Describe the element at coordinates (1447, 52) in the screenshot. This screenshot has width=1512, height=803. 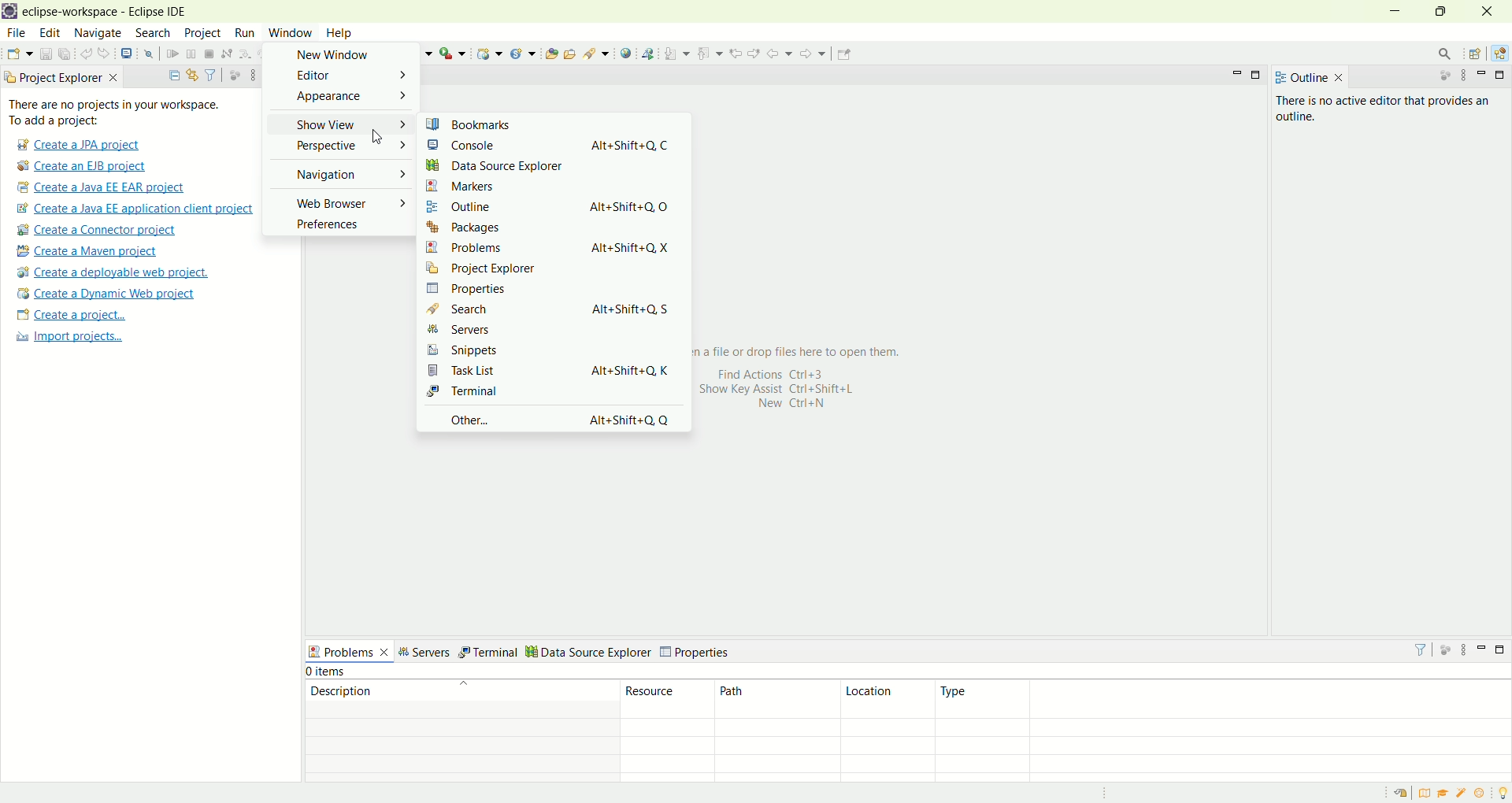
I see `search` at that location.